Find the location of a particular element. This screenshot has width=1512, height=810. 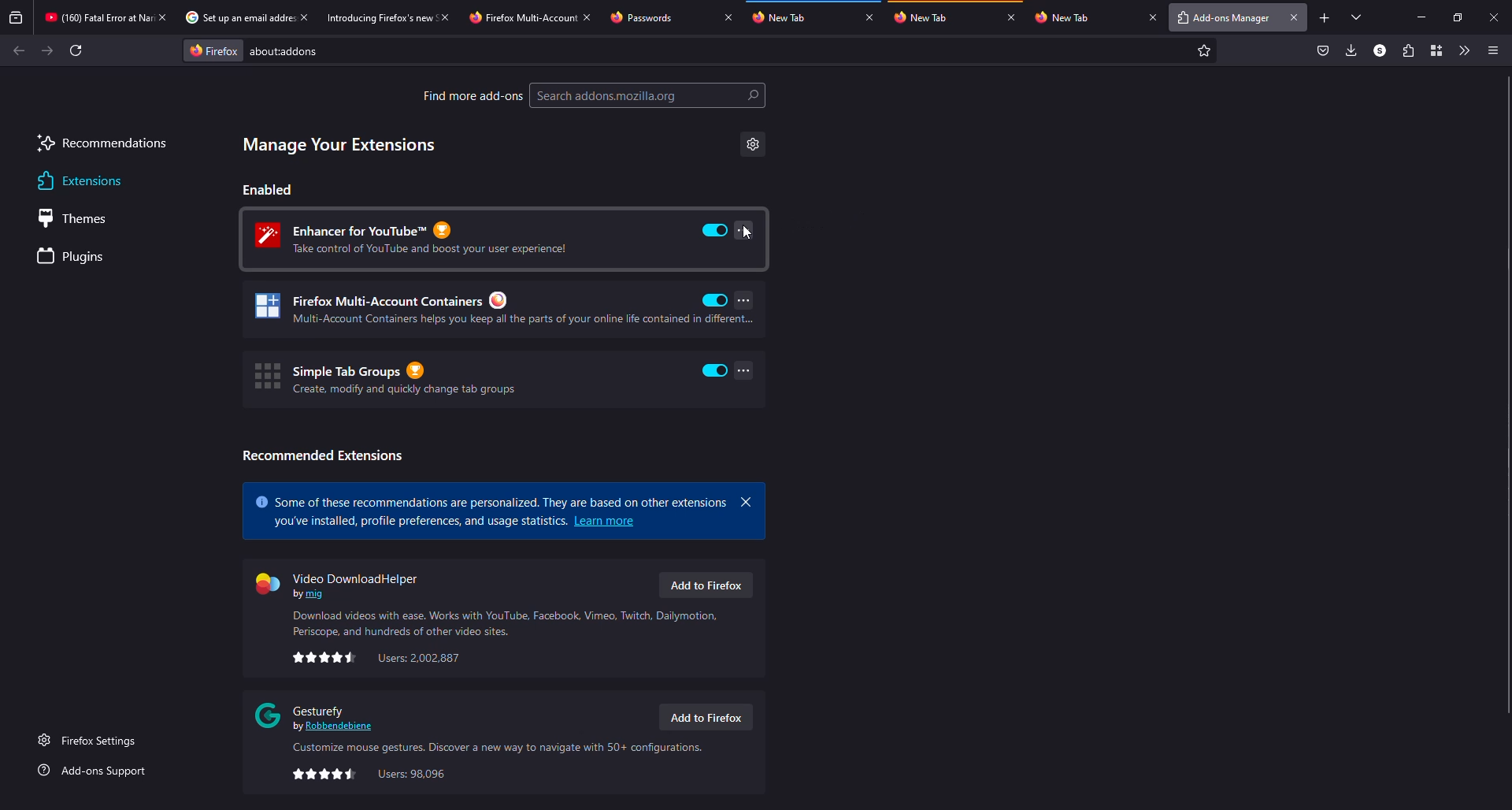

multi-account is located at coordinates (474, 310).